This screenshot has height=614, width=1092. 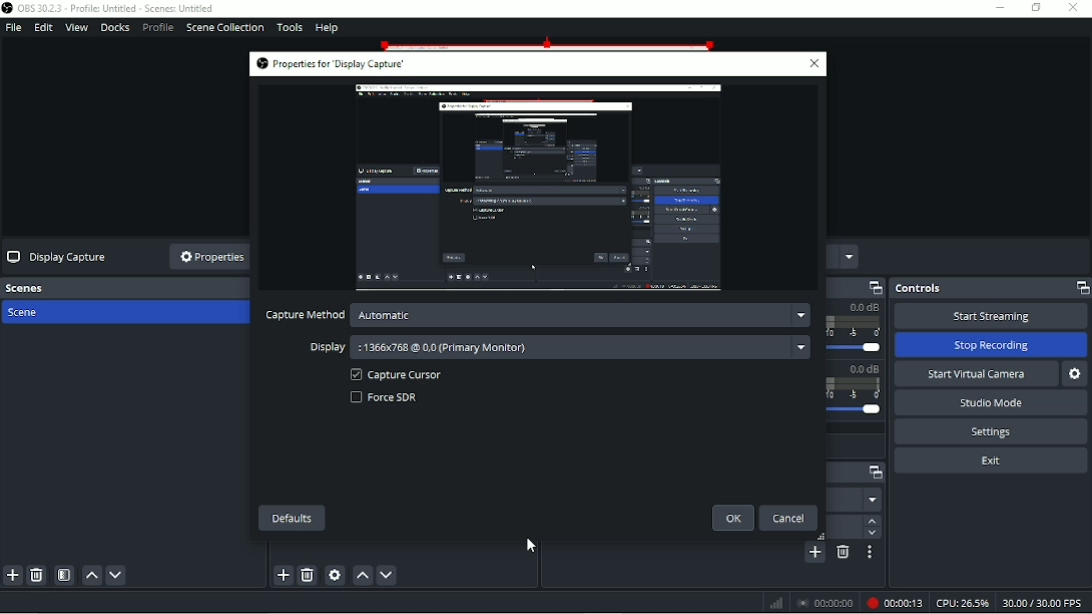 I want to click on Video Preview, so click(x=539, y=186).